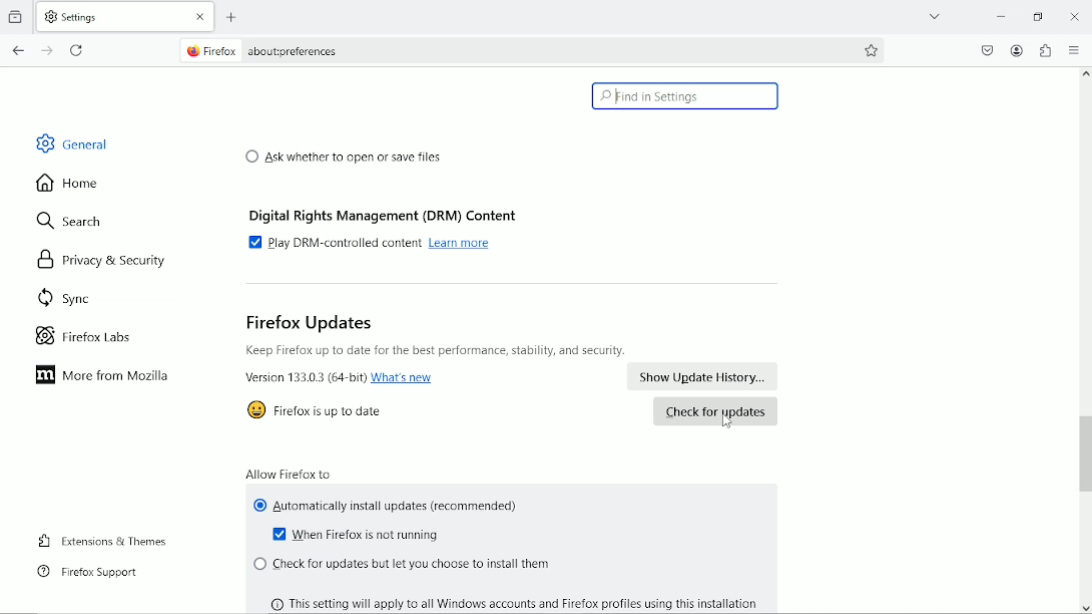  I want to click on icon, so click(256, 409).